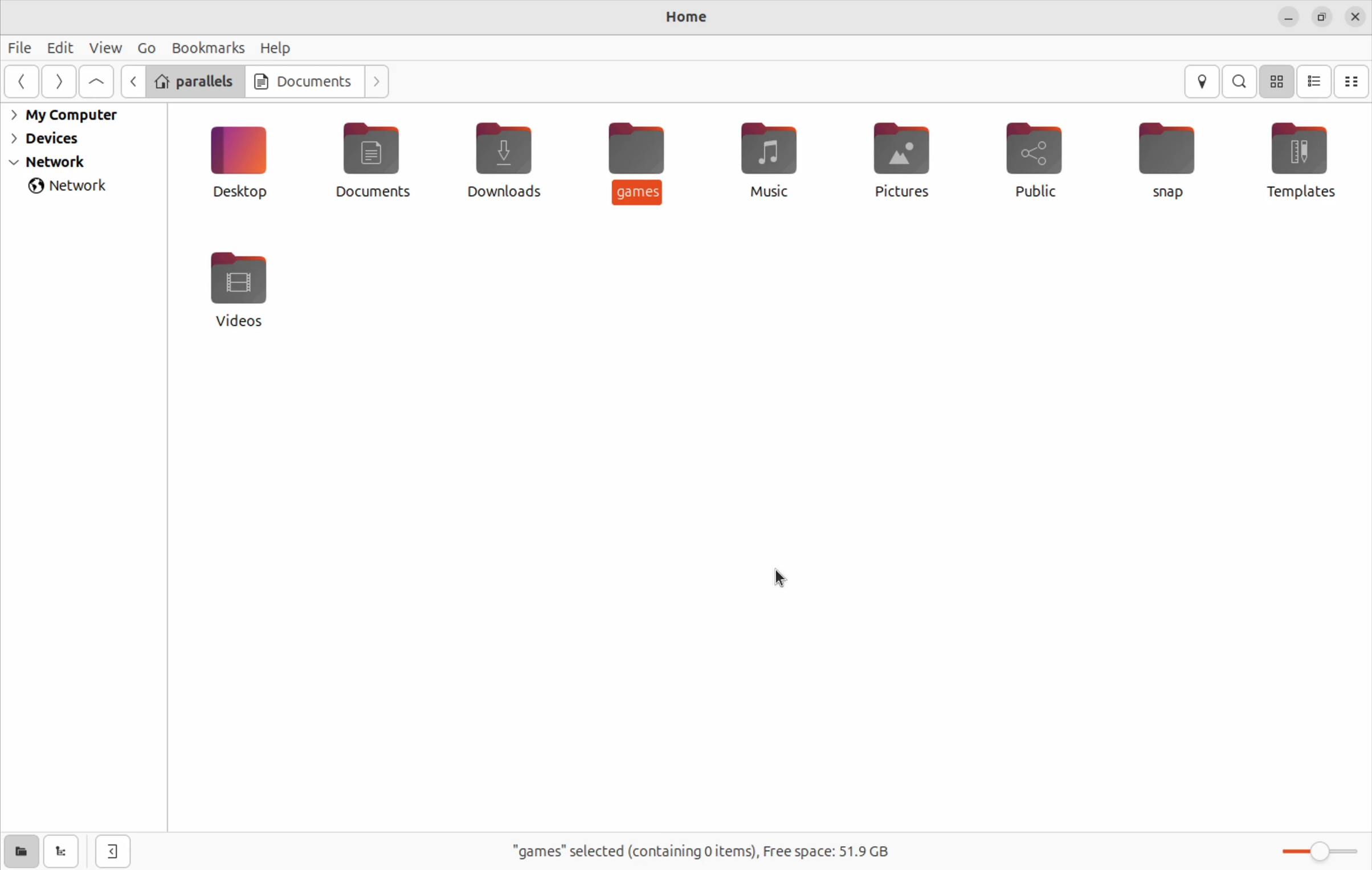 This screenshot has height=870, width=1372. Describe the element at coordinates (784, 579) in the screenshot. I see `cursor` at that location.